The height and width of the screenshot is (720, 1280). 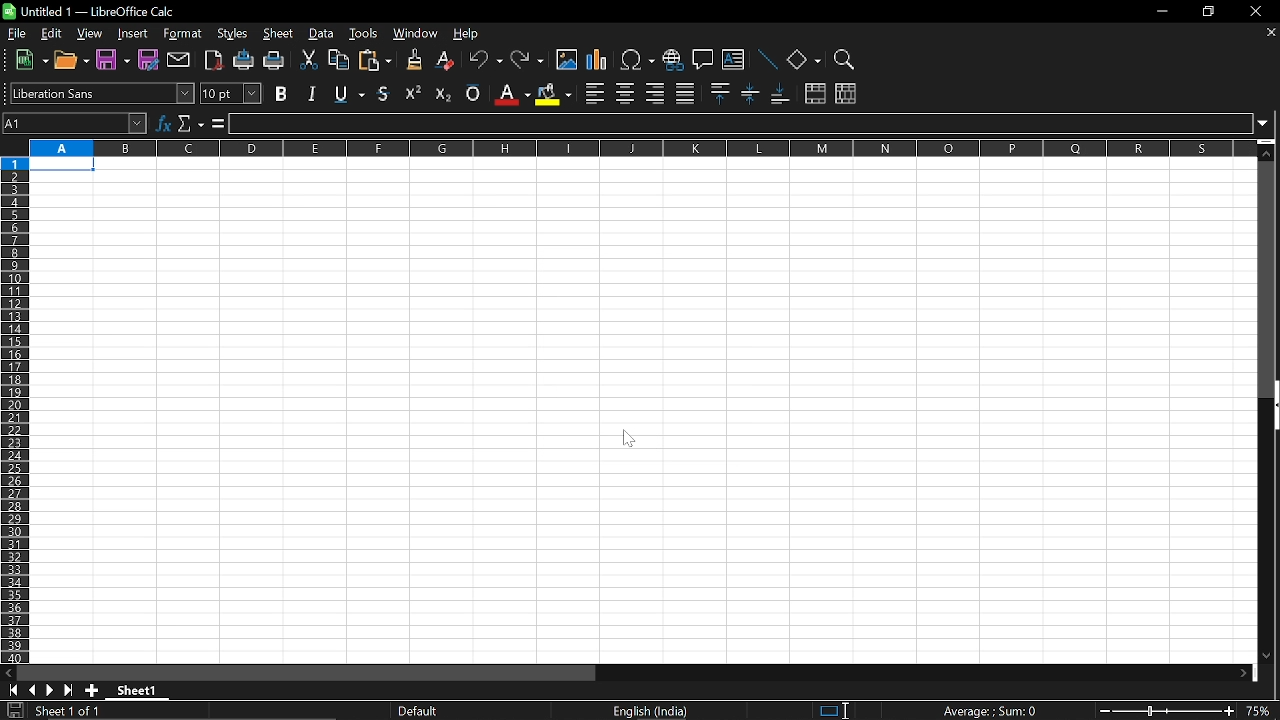 I want to click on previous page, so click(x=32, y=690).